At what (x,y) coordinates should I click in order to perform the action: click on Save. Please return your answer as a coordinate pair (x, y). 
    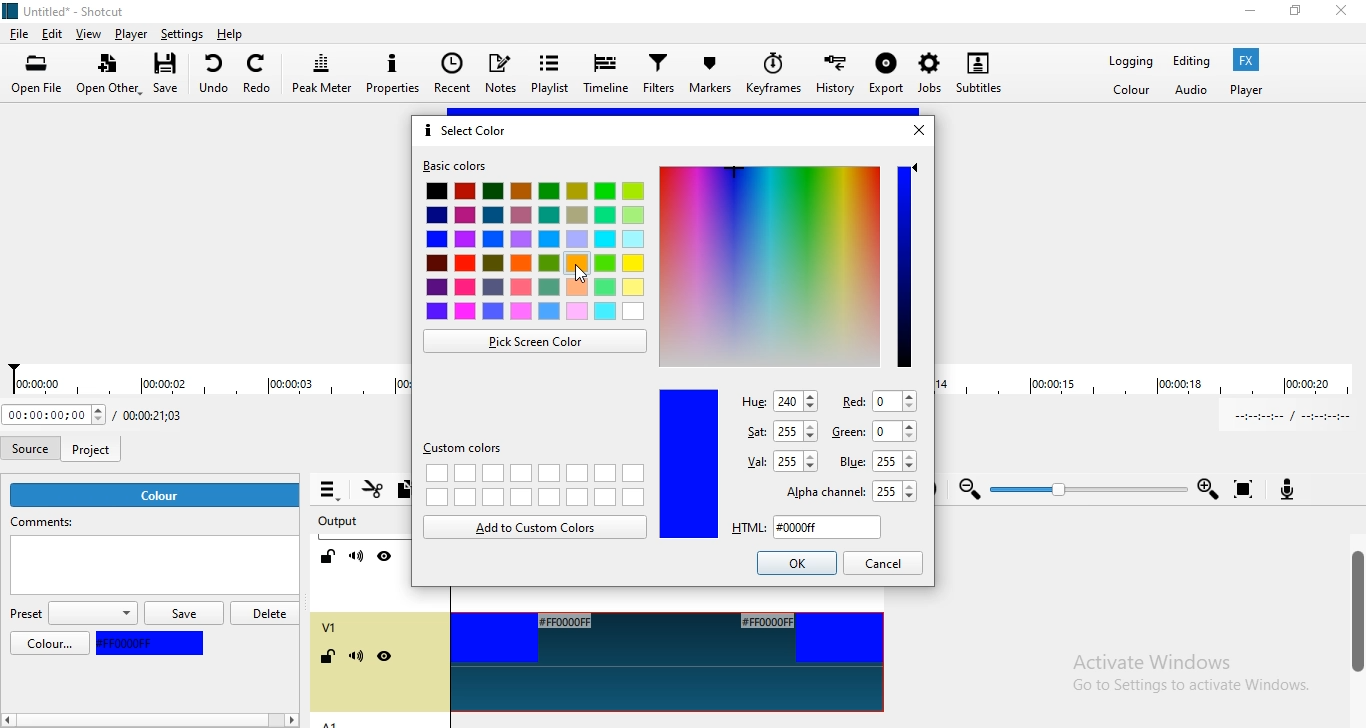
    Looking at the image, I should click on (172, 74).